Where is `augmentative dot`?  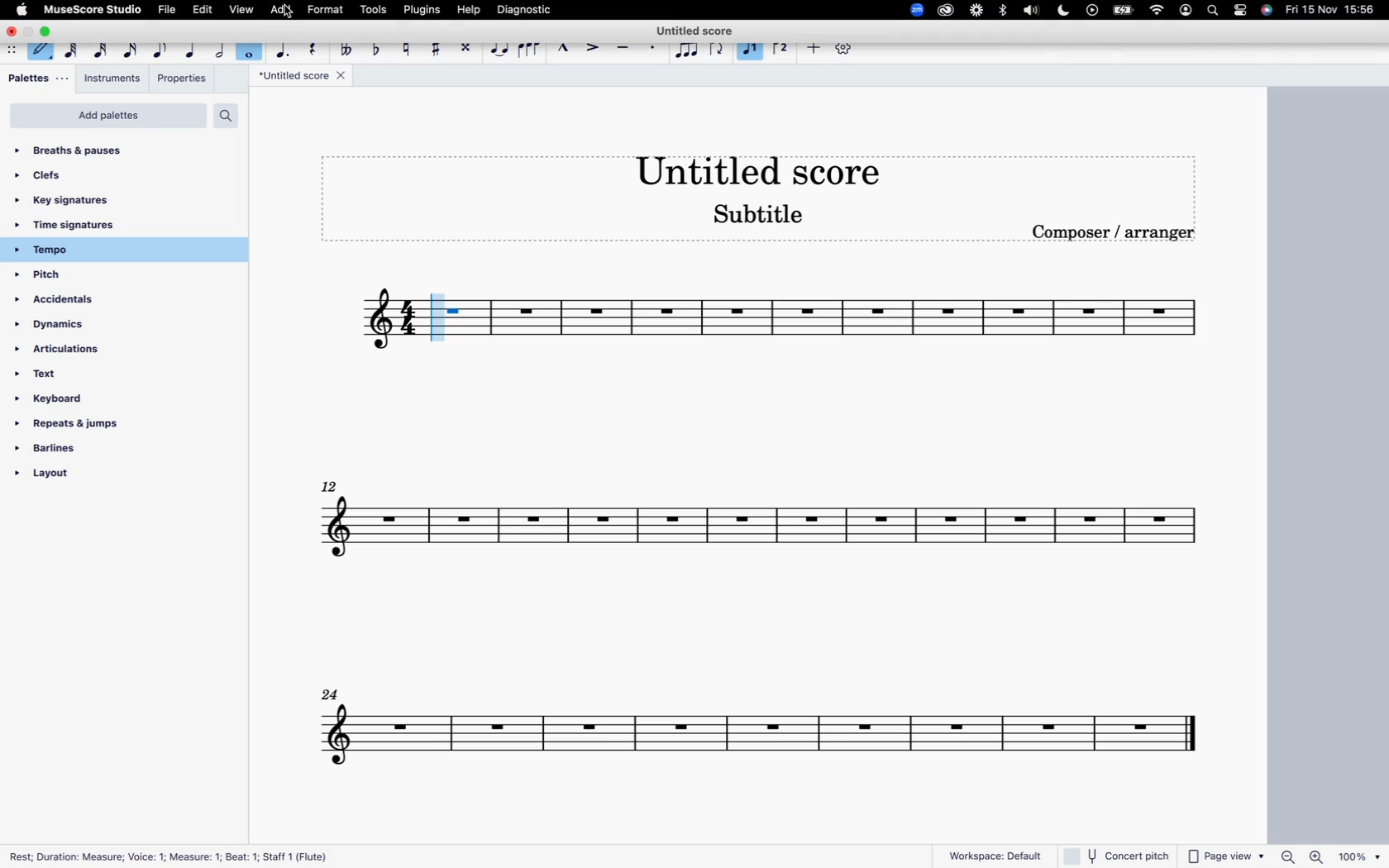
augmentative dot is located at coordinates (283, 47).